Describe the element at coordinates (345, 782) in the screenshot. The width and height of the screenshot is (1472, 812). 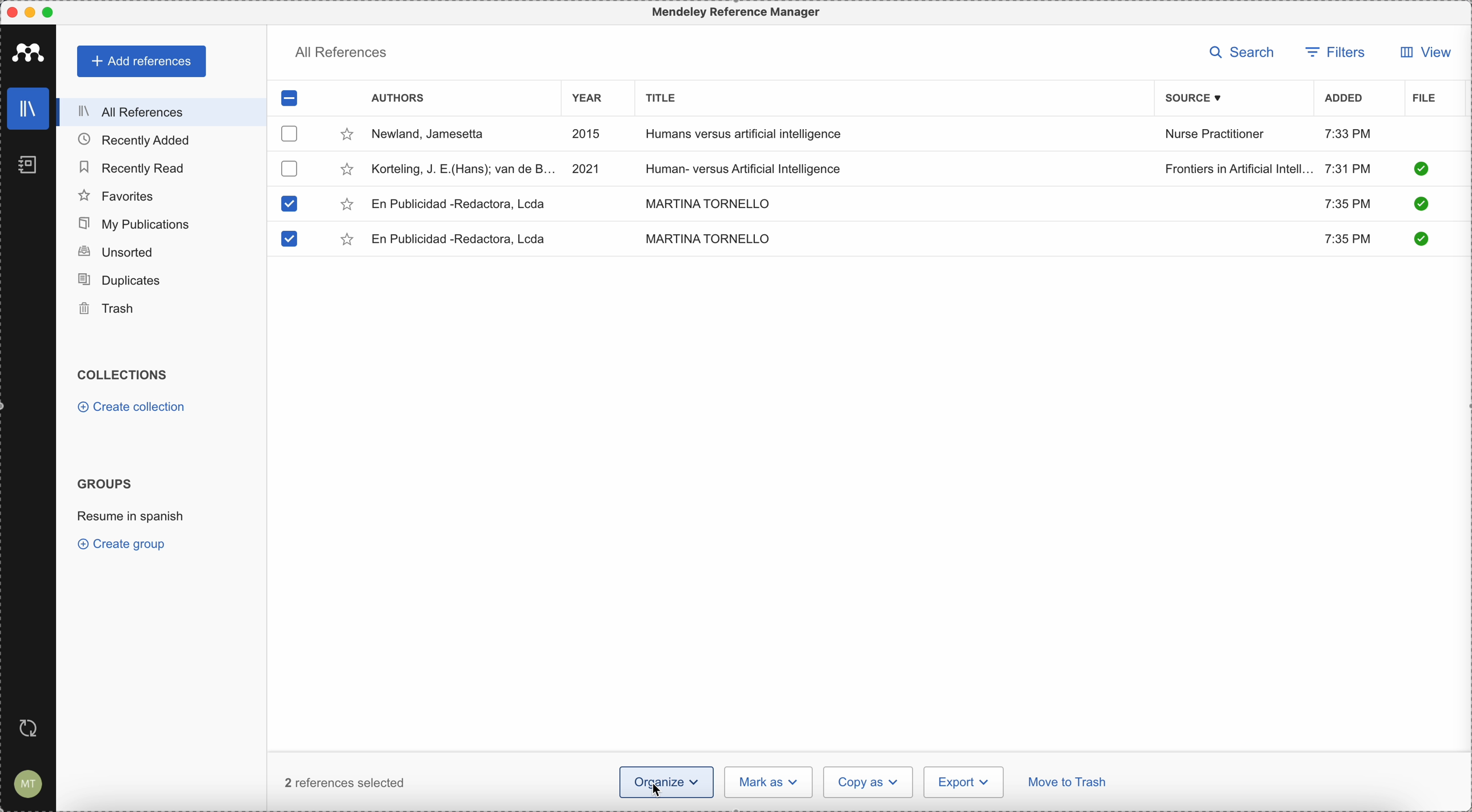
I see `2 reference selected` at that location.